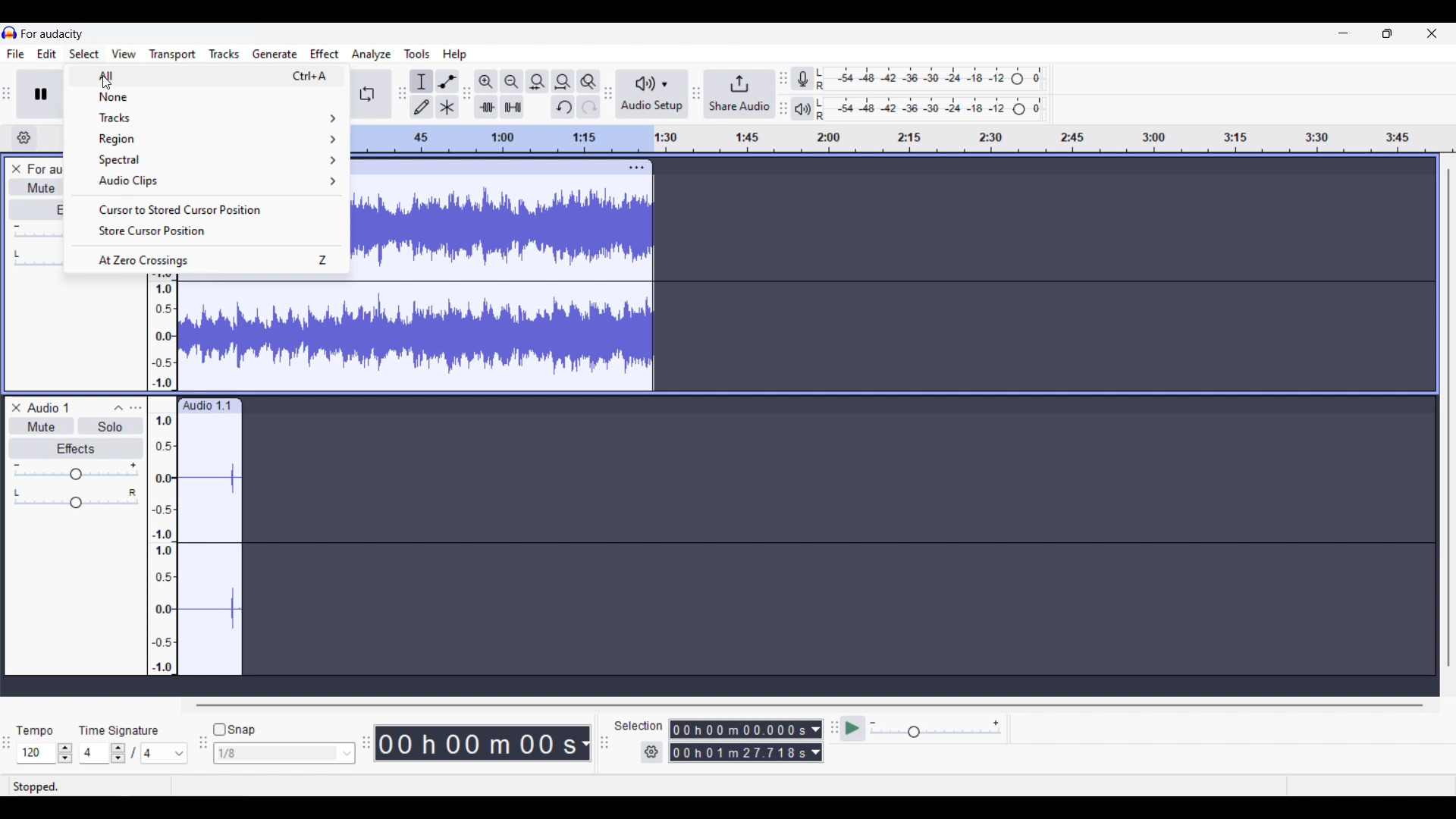 The height and width of the screenshot is (819, 1456). What do you see at coordinates (118, 408) in the screenshot?
I see `collapse` at bounding box center [118, 408].